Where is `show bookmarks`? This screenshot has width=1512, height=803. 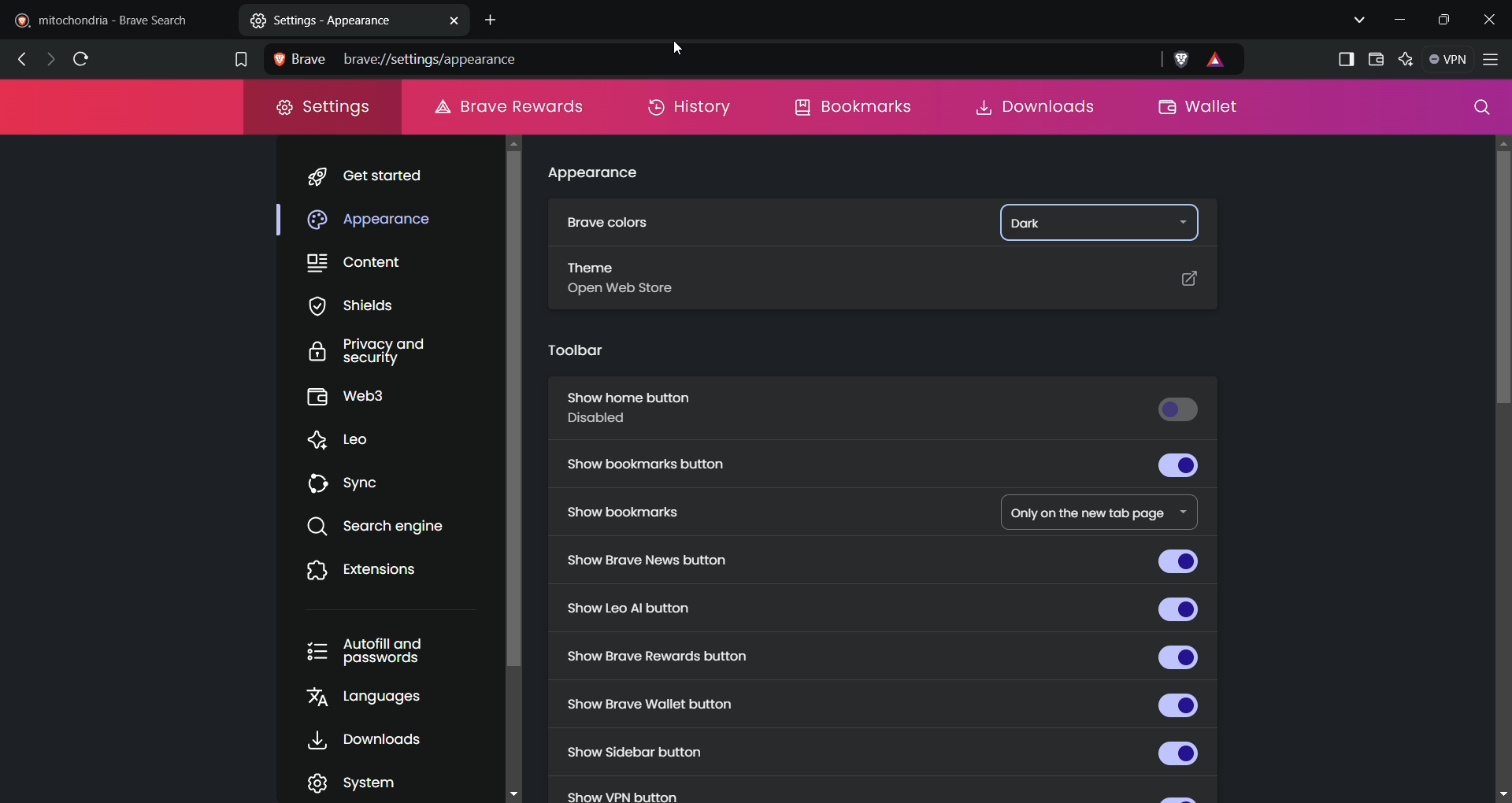
show bookmarks is located at coordinates (637, 515).